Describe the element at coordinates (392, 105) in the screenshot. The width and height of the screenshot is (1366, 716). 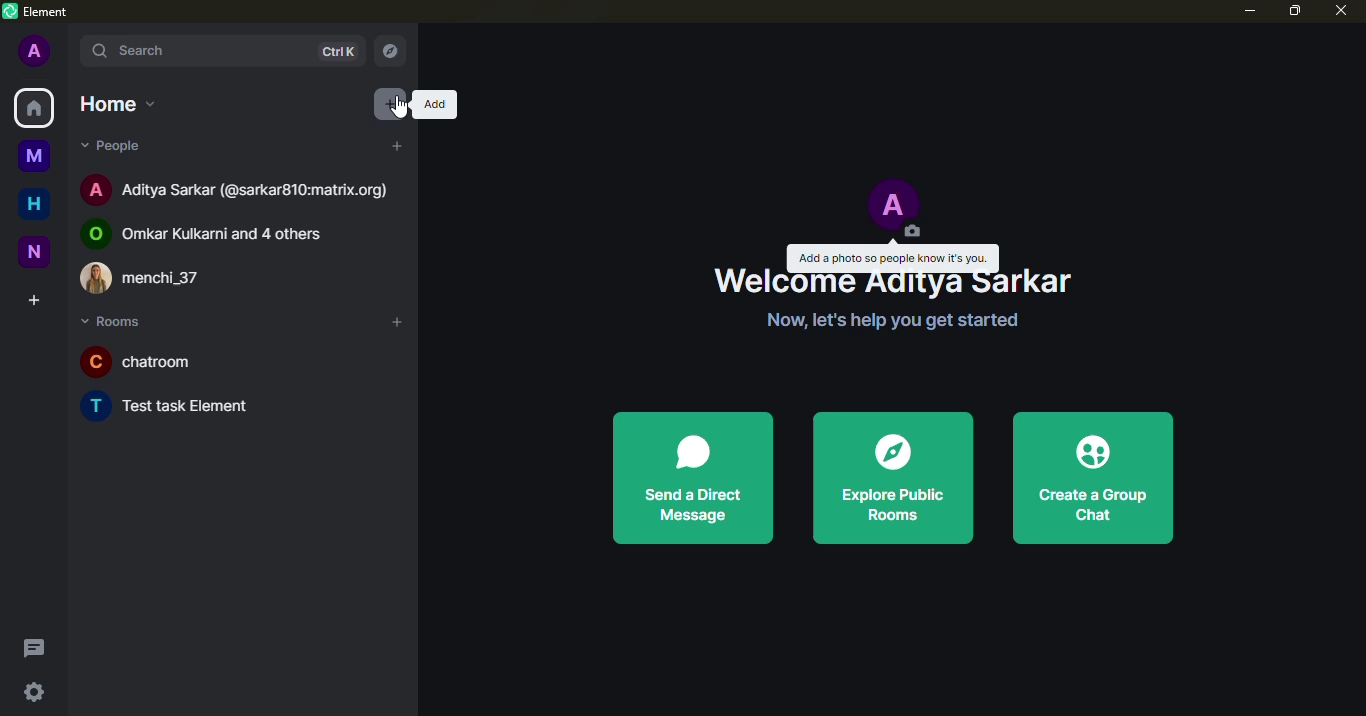
I see `add` at that location.